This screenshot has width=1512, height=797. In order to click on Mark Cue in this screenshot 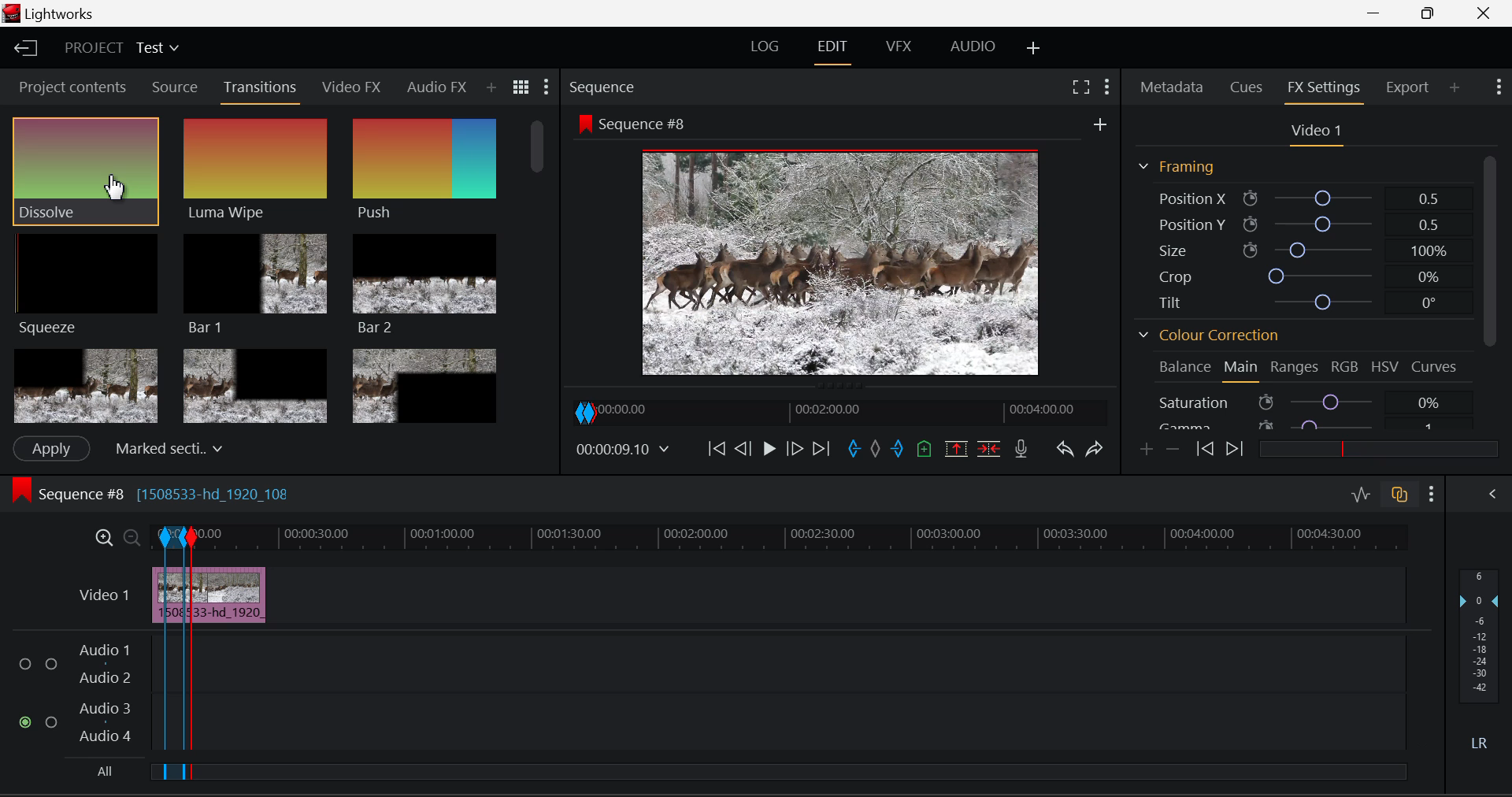, I will do `click(923, 450)`.